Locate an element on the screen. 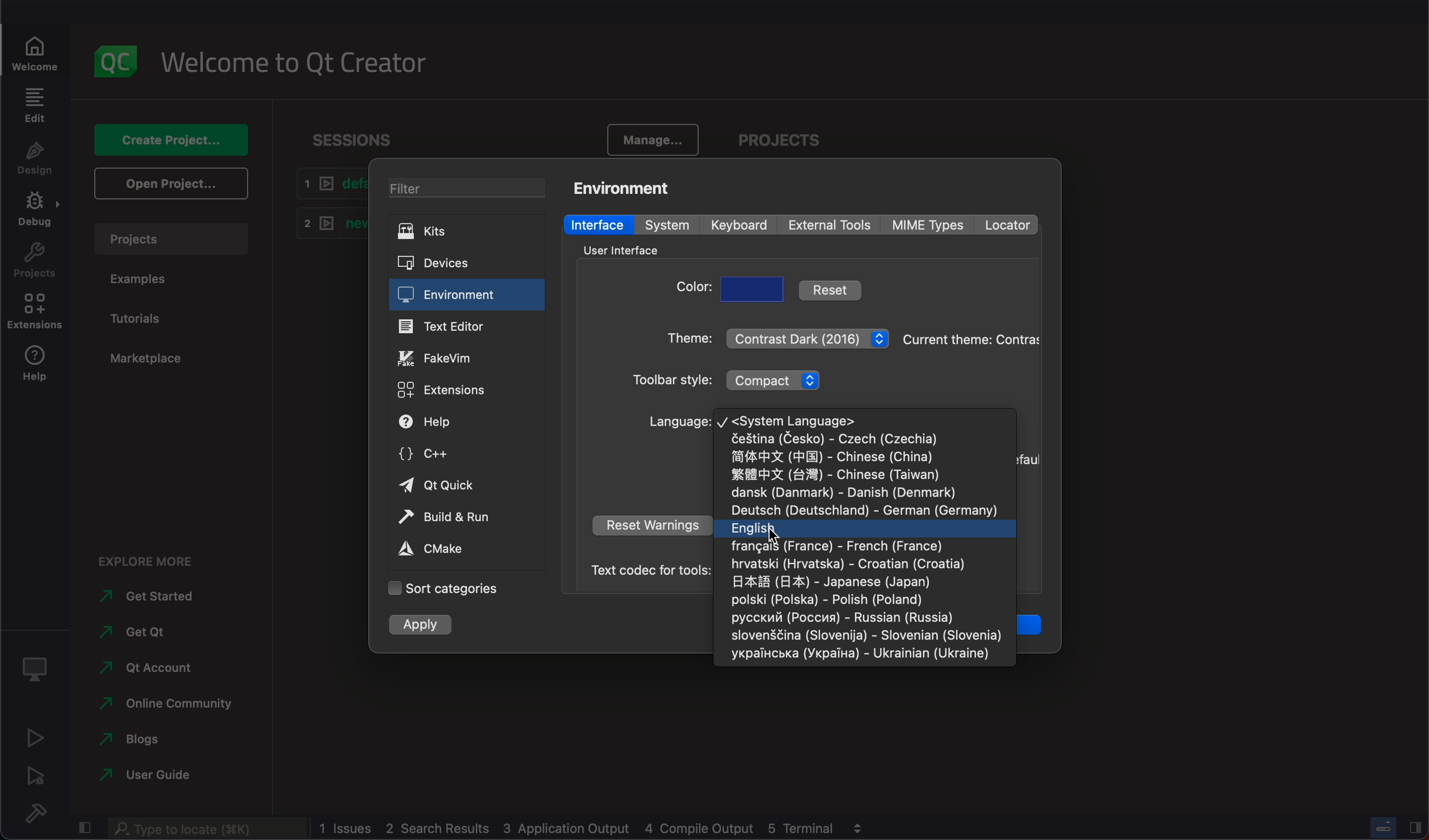 This screenshot has height=840, width=1429. explore more  is located at coordinates (154, 559).